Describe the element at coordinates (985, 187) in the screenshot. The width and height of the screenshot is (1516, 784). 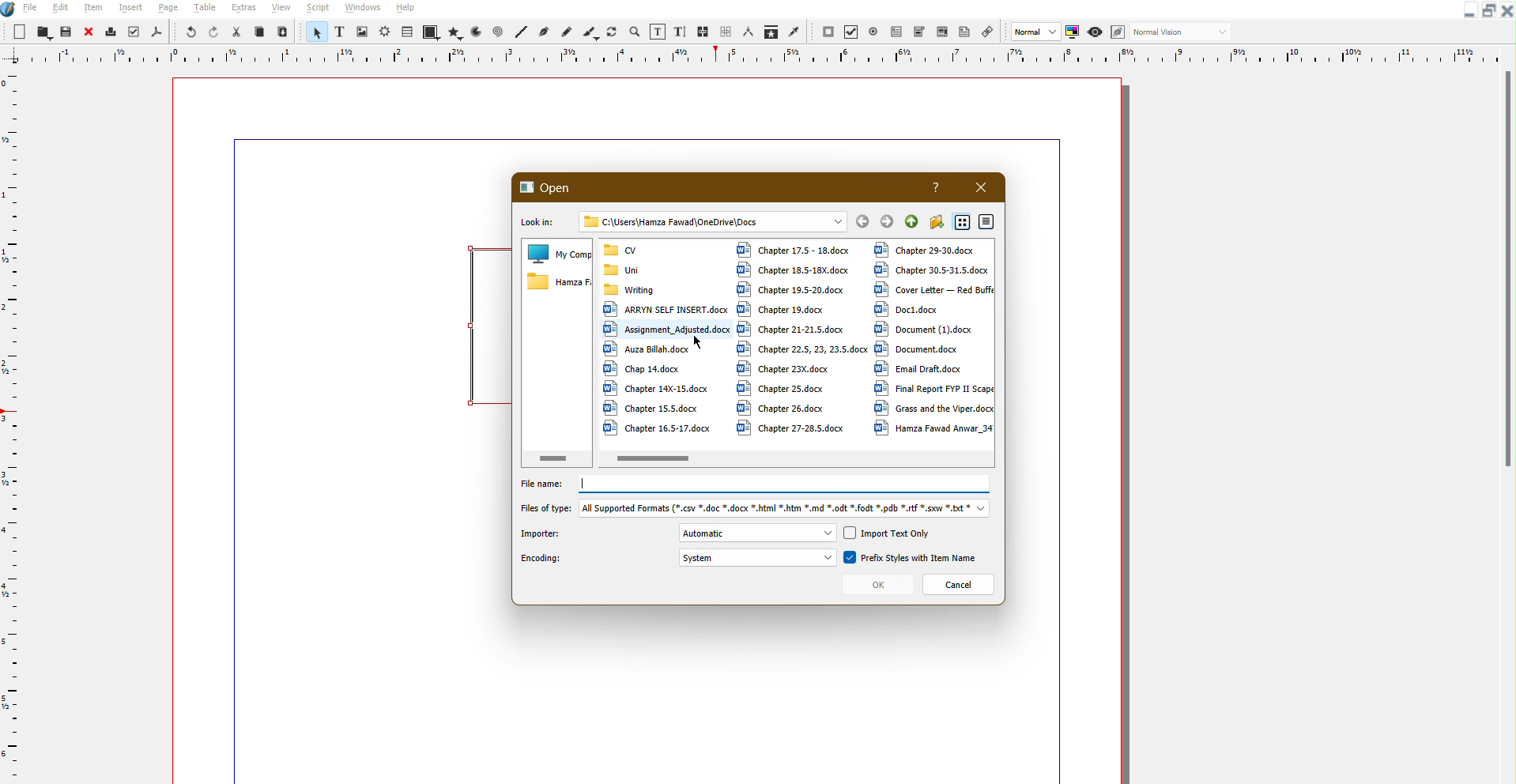
I see `Close` at that location.